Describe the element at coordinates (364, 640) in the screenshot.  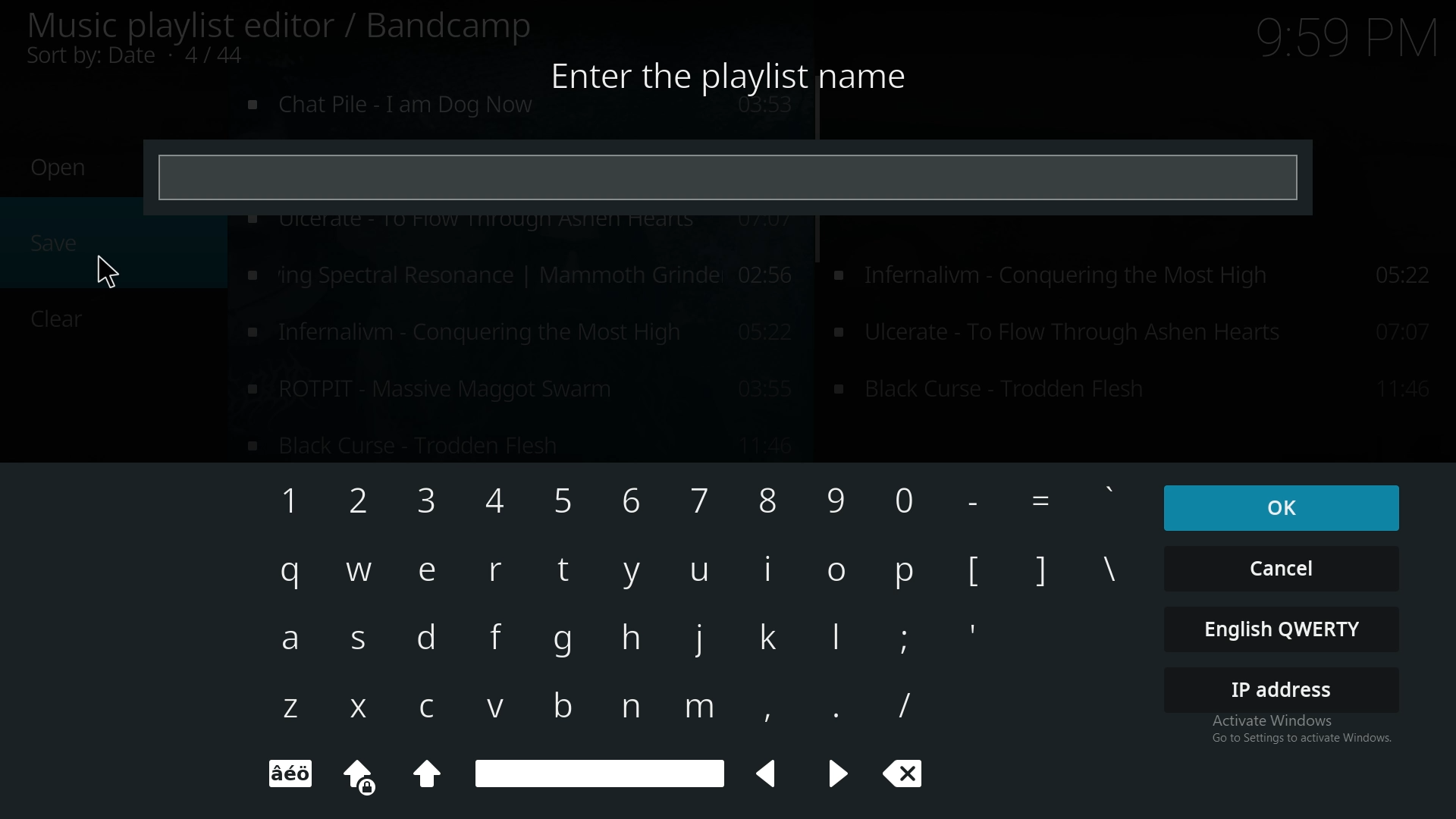
I see `keyboard input` at that location.